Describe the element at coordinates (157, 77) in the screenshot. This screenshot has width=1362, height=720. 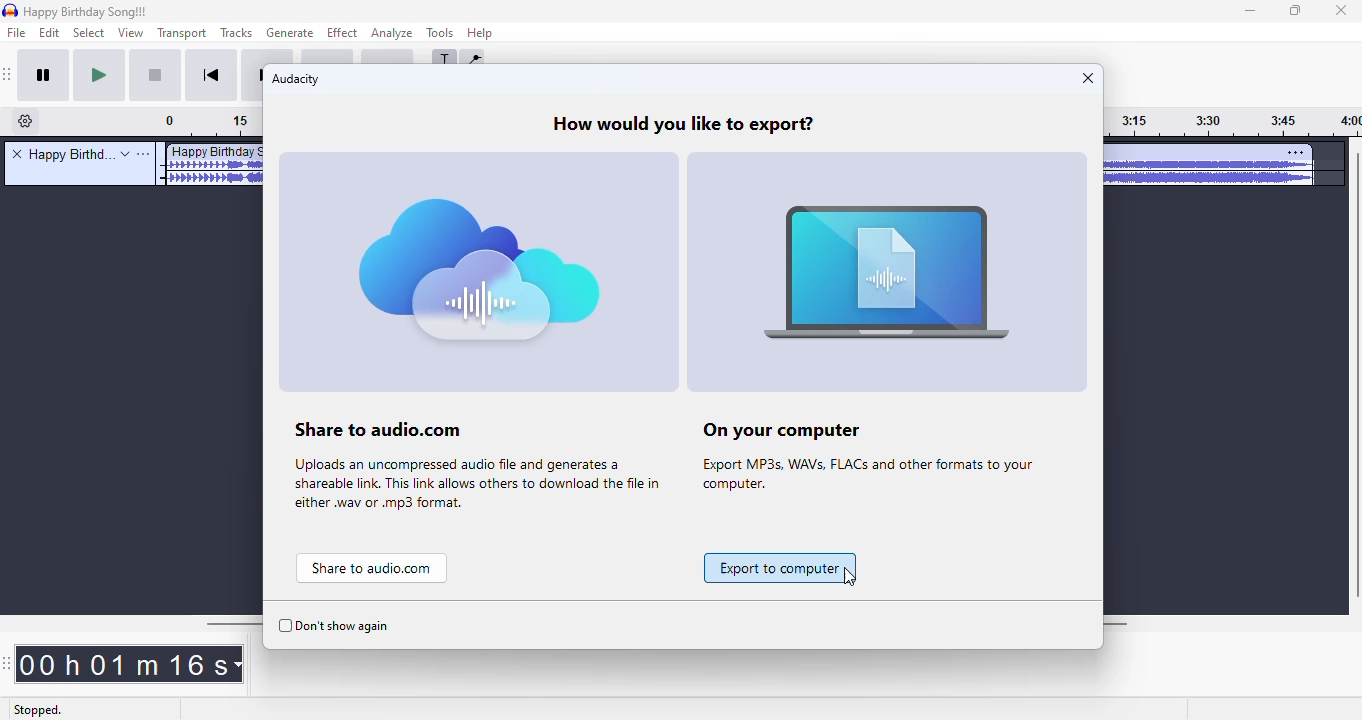
I see `stop` at that location.